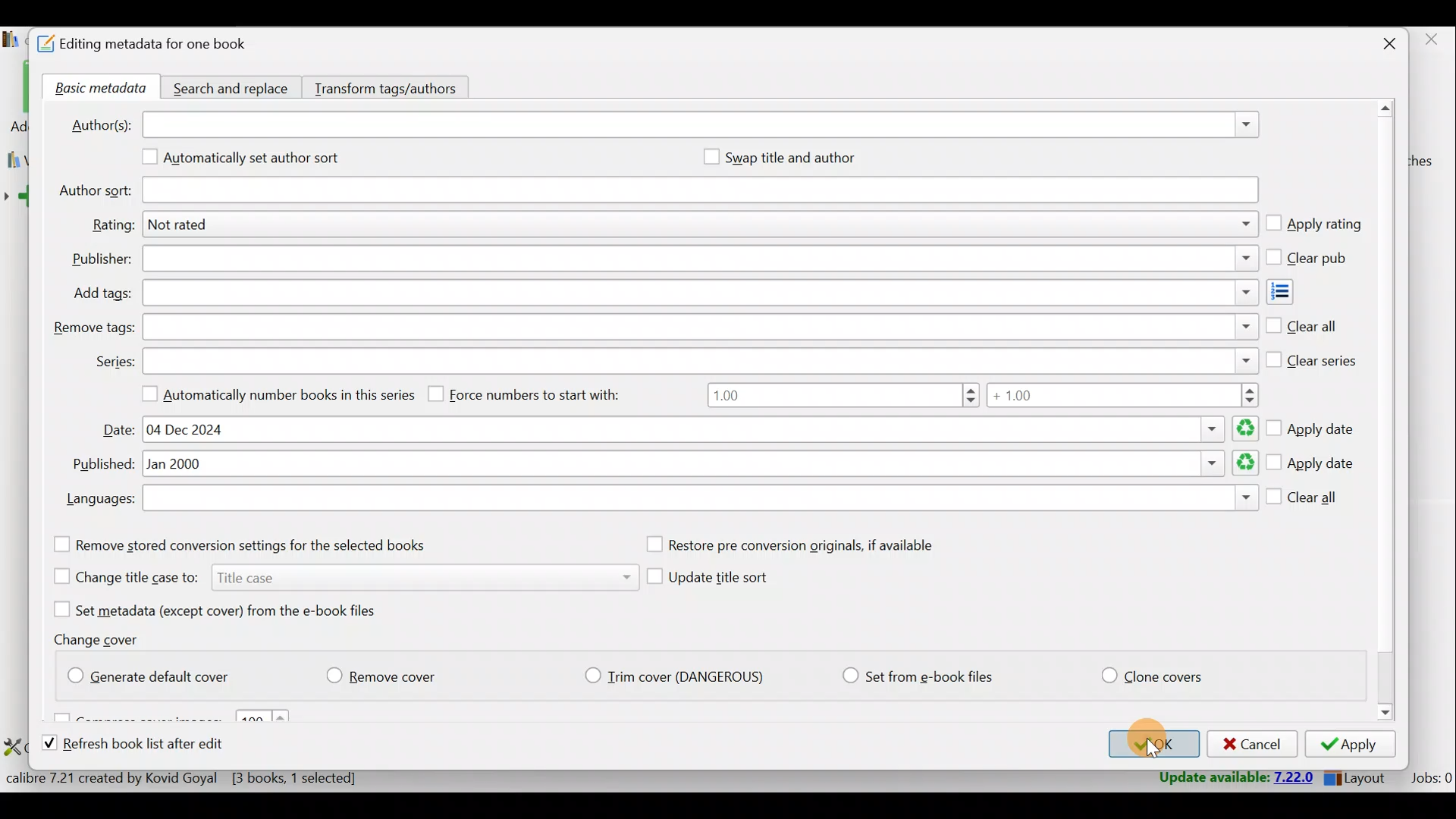 The height and width of the screenshot is (819, 1456). What do you see at coordinates (272, 393) in the screenshot?
I see `Automatically number books in this series` at bounding box center [272, 393].